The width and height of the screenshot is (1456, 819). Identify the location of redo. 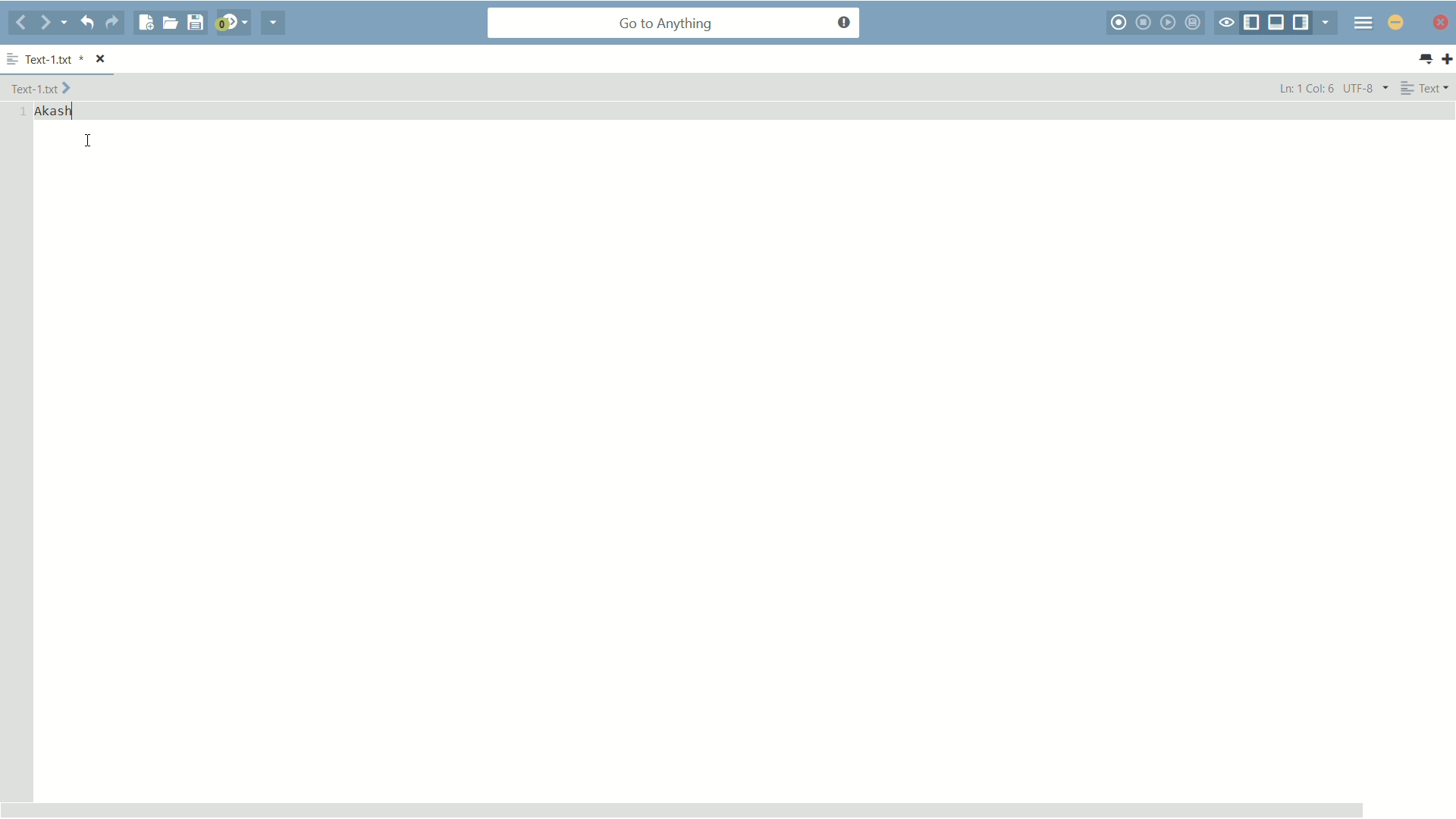
(113, 24).